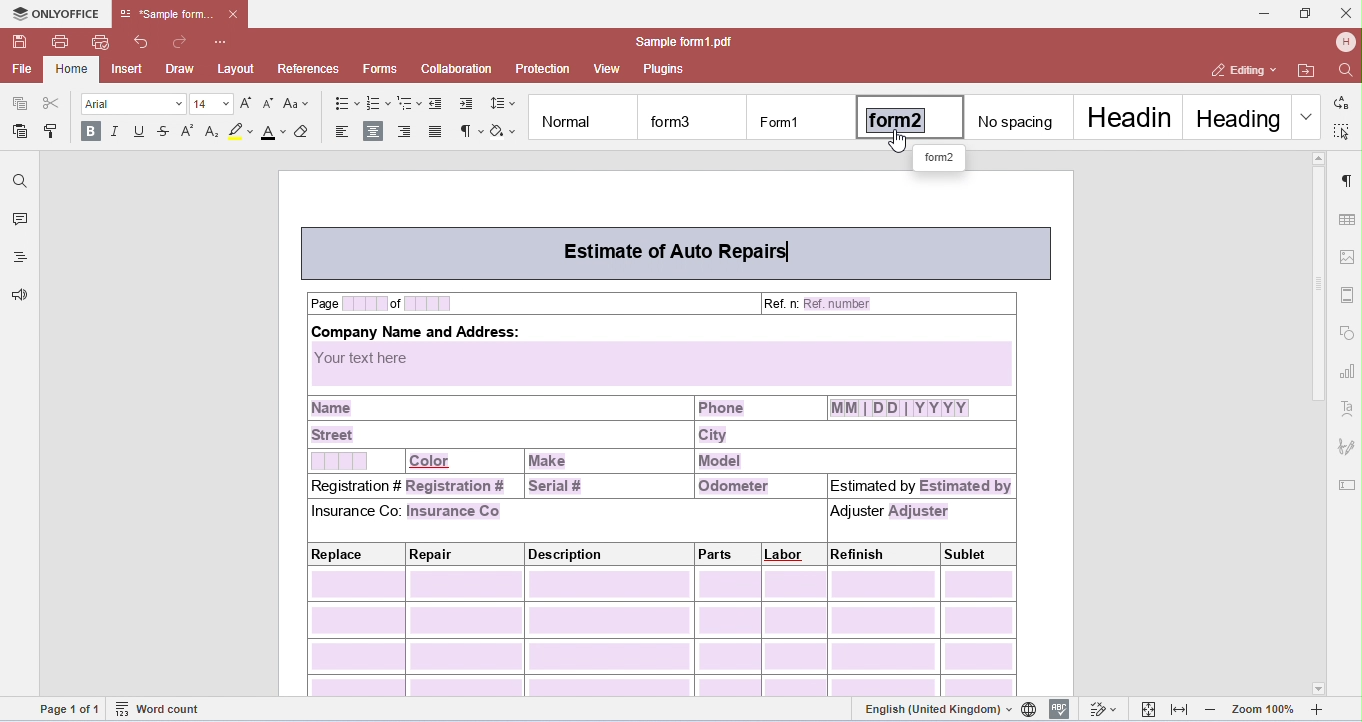 This screenshot has width=1362, height=722. I want to click on paragraph settings, so click(1347, 180).